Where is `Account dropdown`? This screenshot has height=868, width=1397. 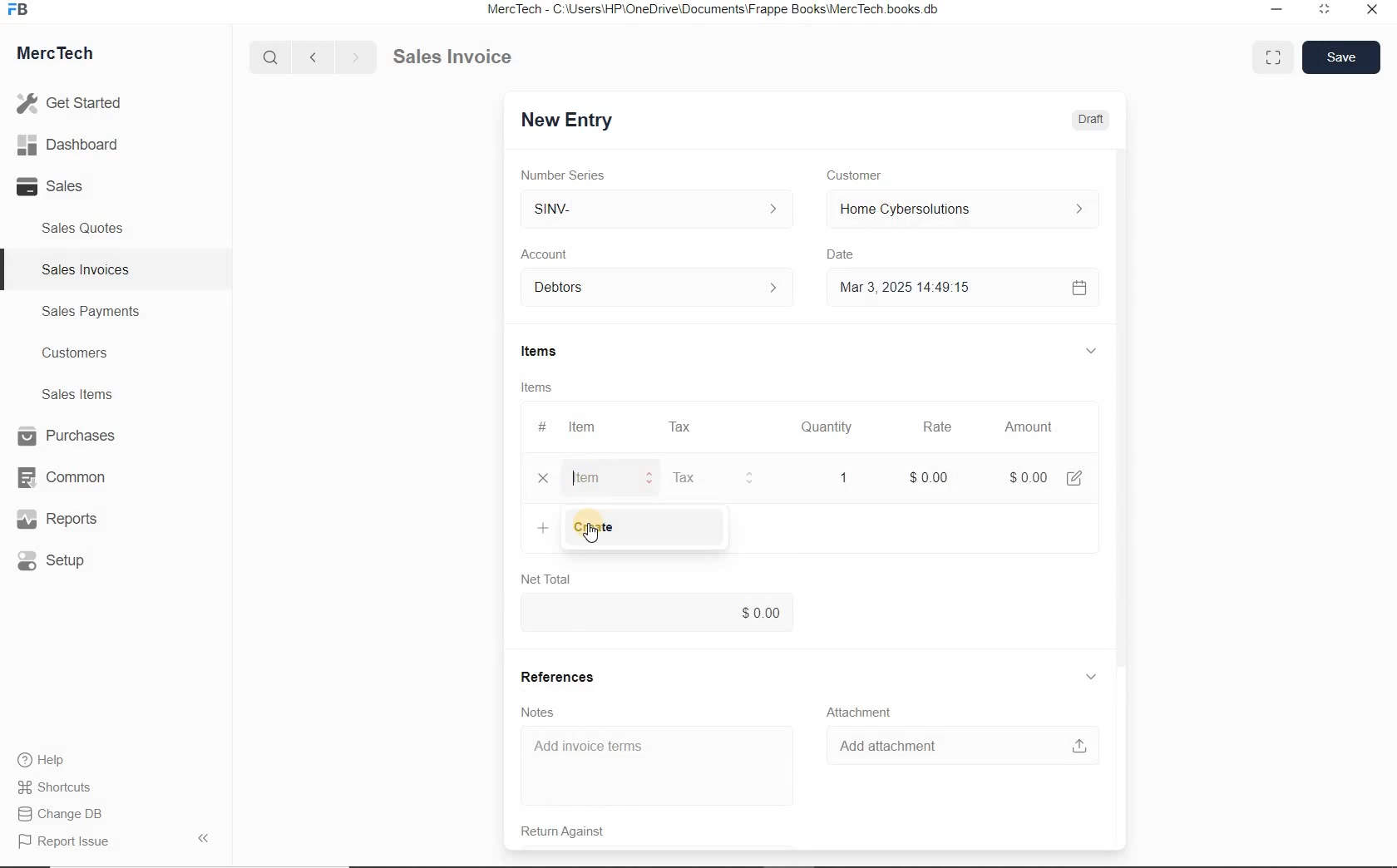 Account dropdown is located at coordinates (659, 289).